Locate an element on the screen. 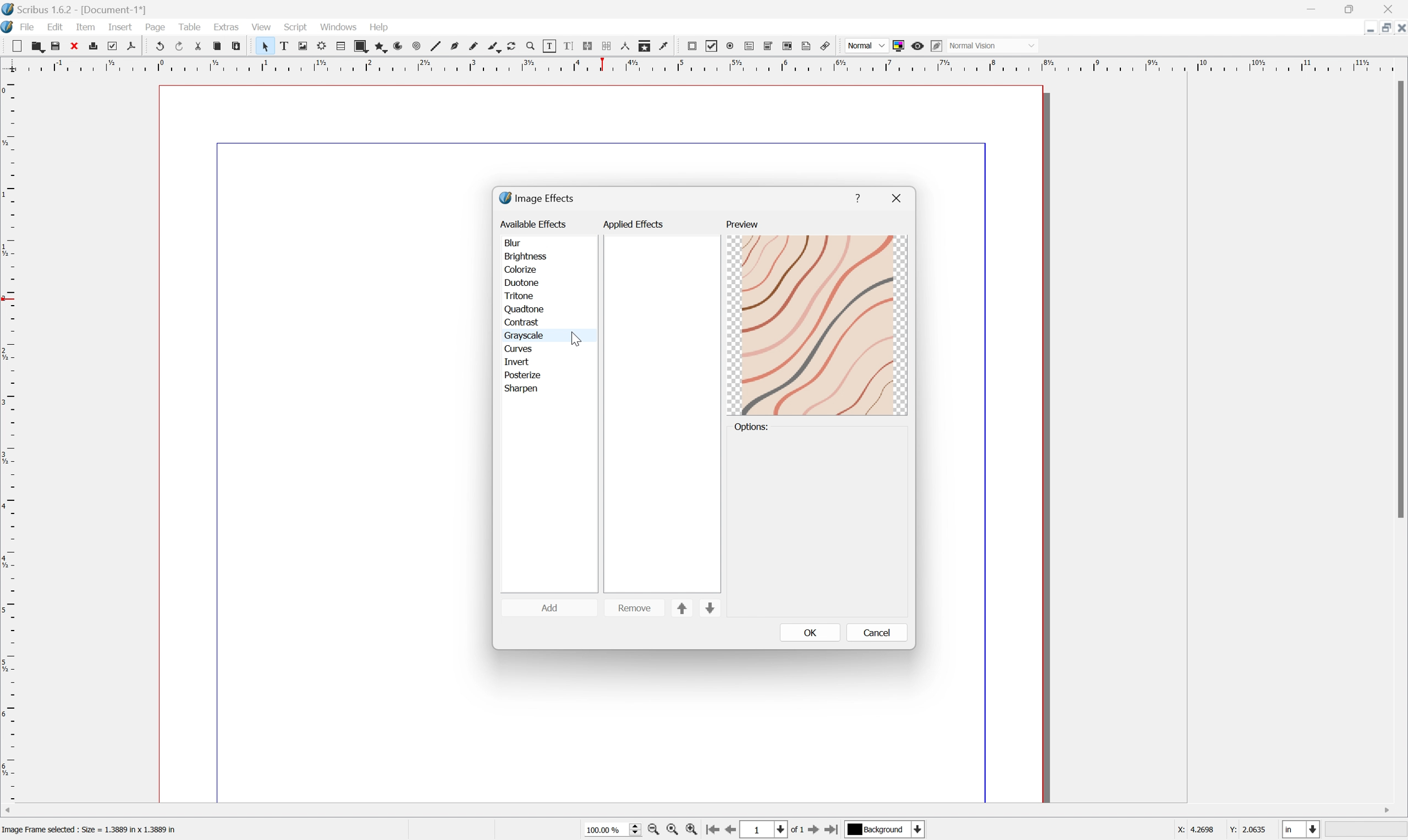 This screenshot has width=1408, height=840. preview is located at coordinates (818, 326).